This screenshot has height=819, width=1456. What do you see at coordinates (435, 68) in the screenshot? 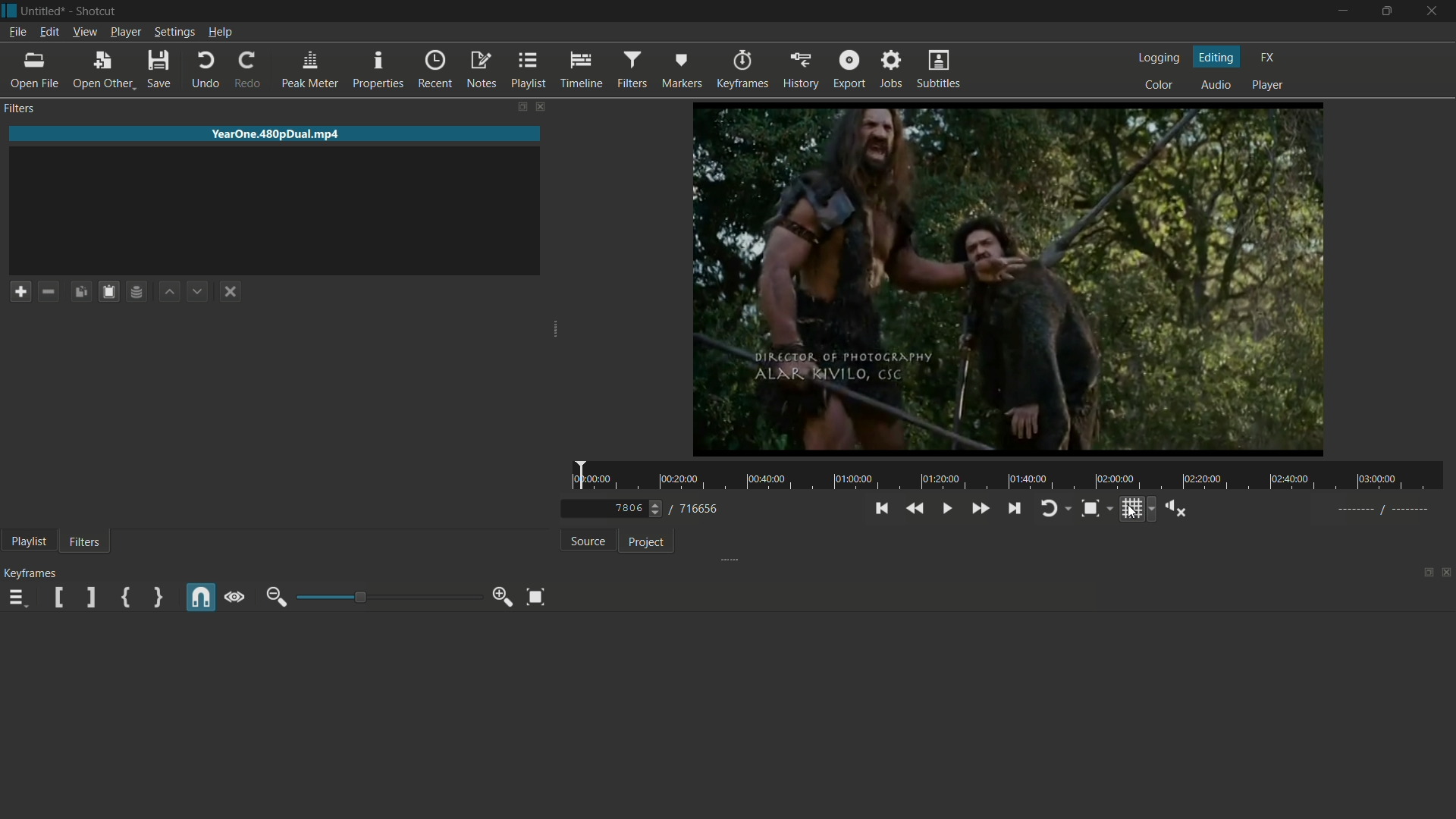
I see `recent` at bounding box center [435, 68].